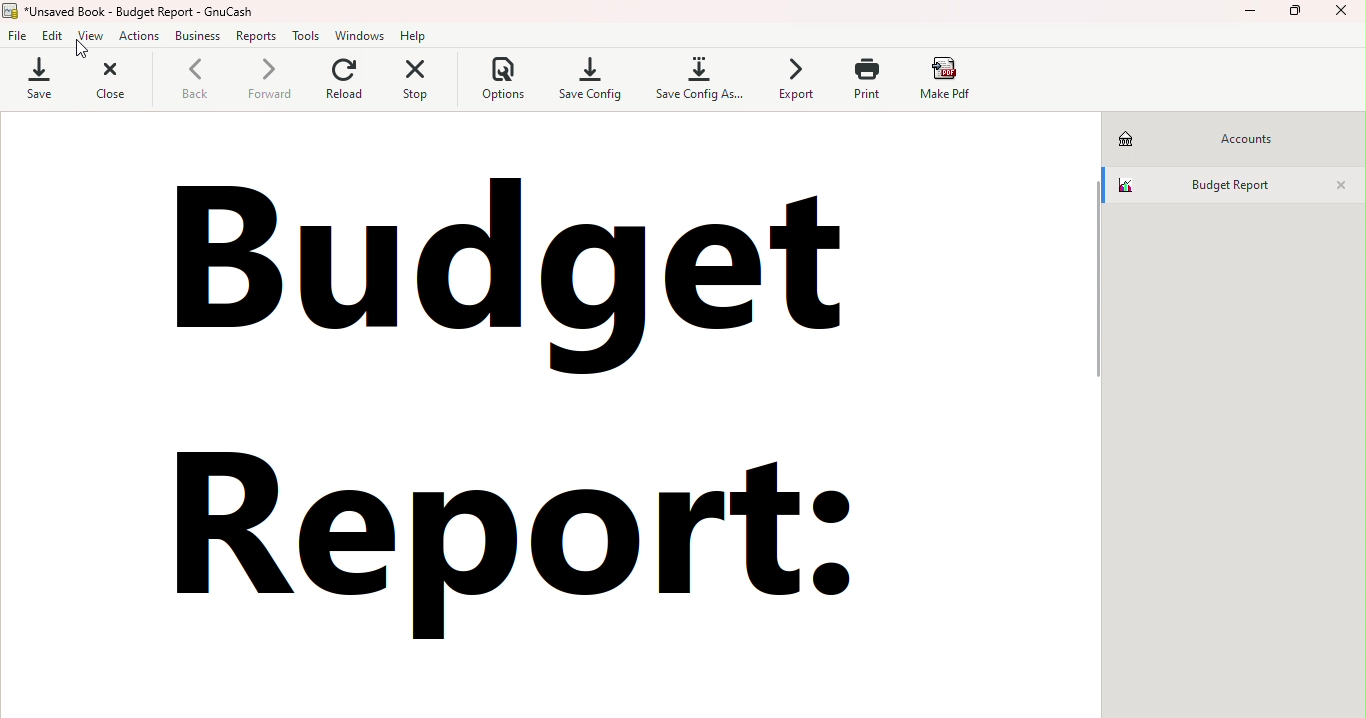  I want to click on View, so click(91, 37).